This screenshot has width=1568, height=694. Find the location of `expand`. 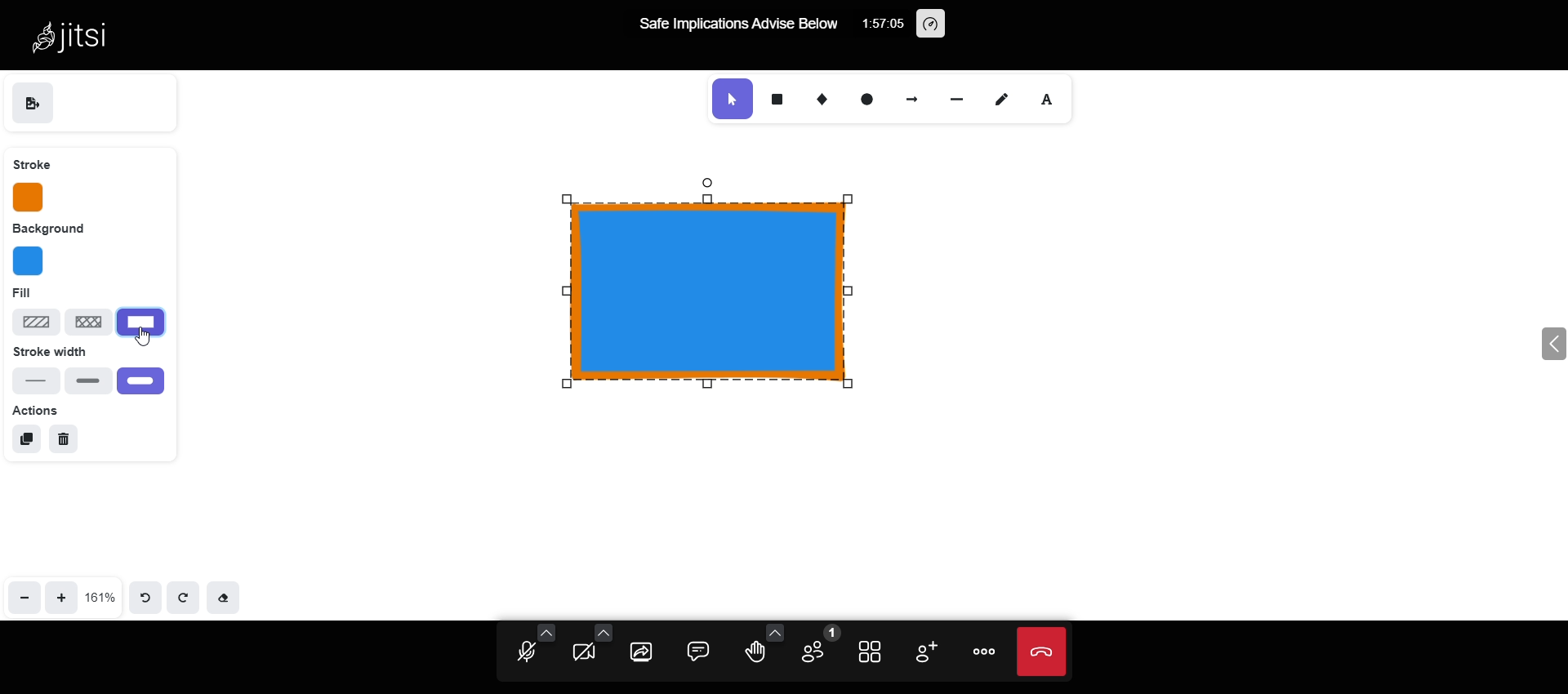

expand is located at coordinates (1518, 341).